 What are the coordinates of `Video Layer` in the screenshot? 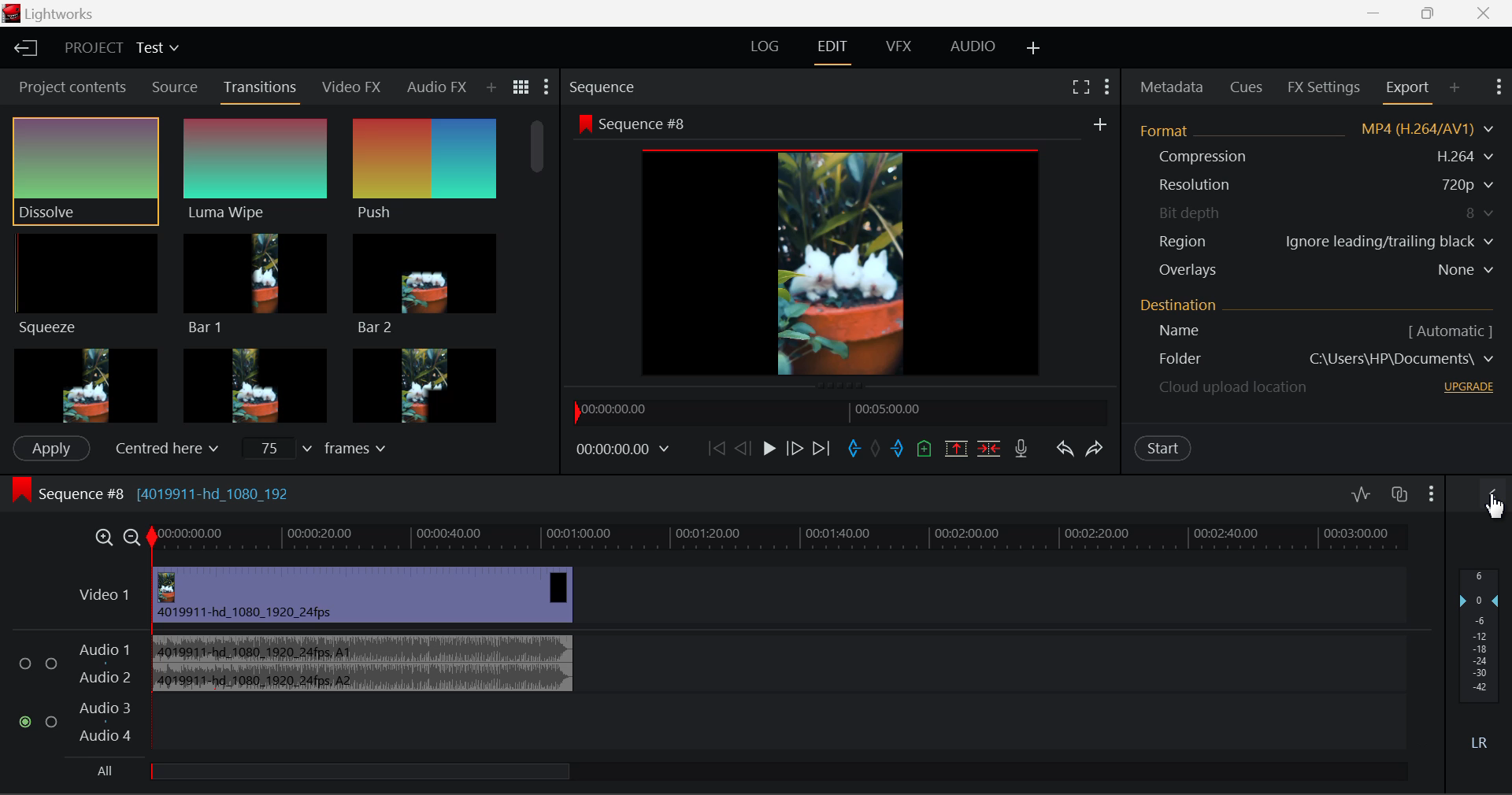 It's located at (738, 594).